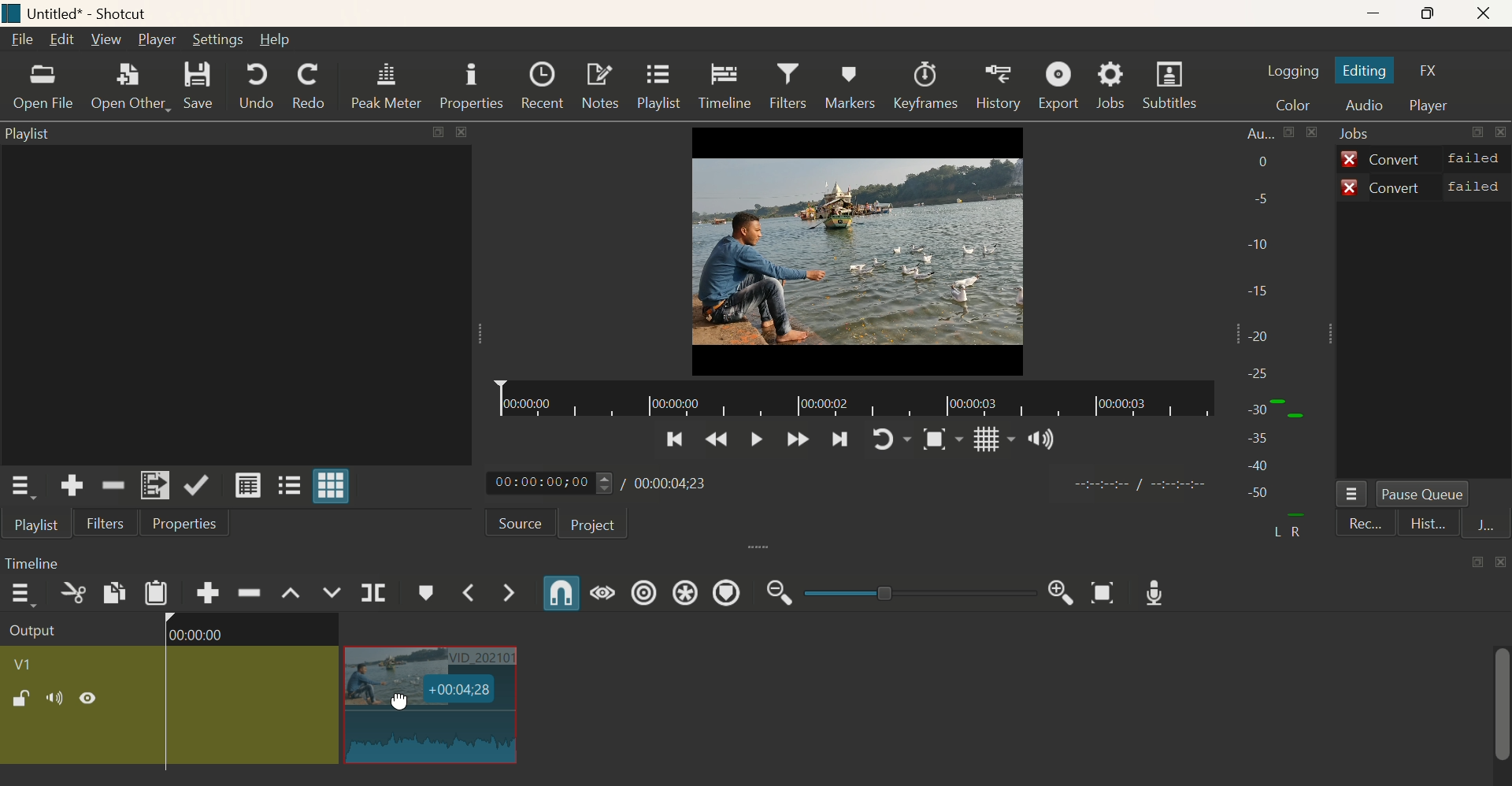  What do you see at coordinates (278, 39) in the screenshot?
I see `` at bounding box center [278, 39].